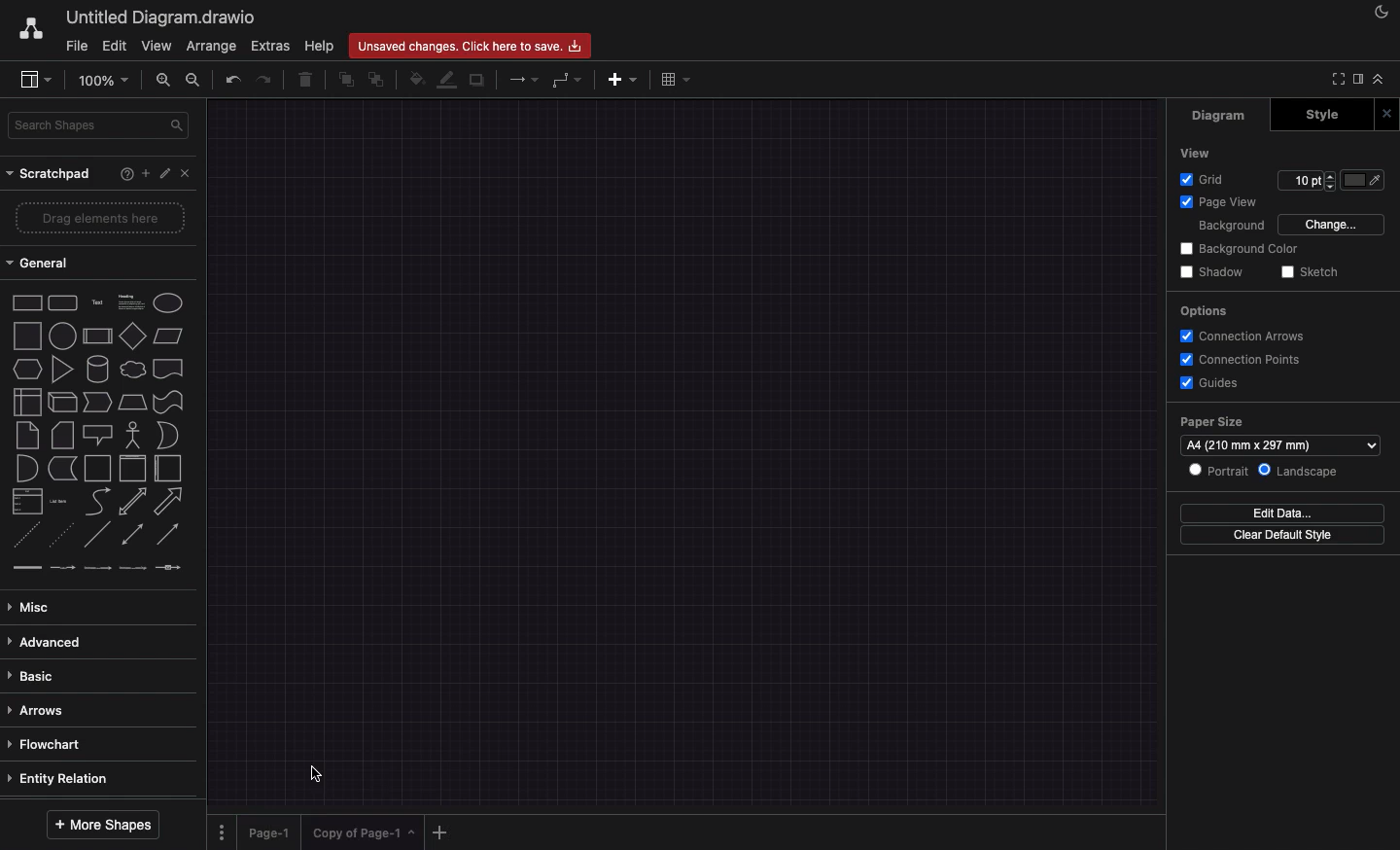  I want to click on connection, so click(523, 81).